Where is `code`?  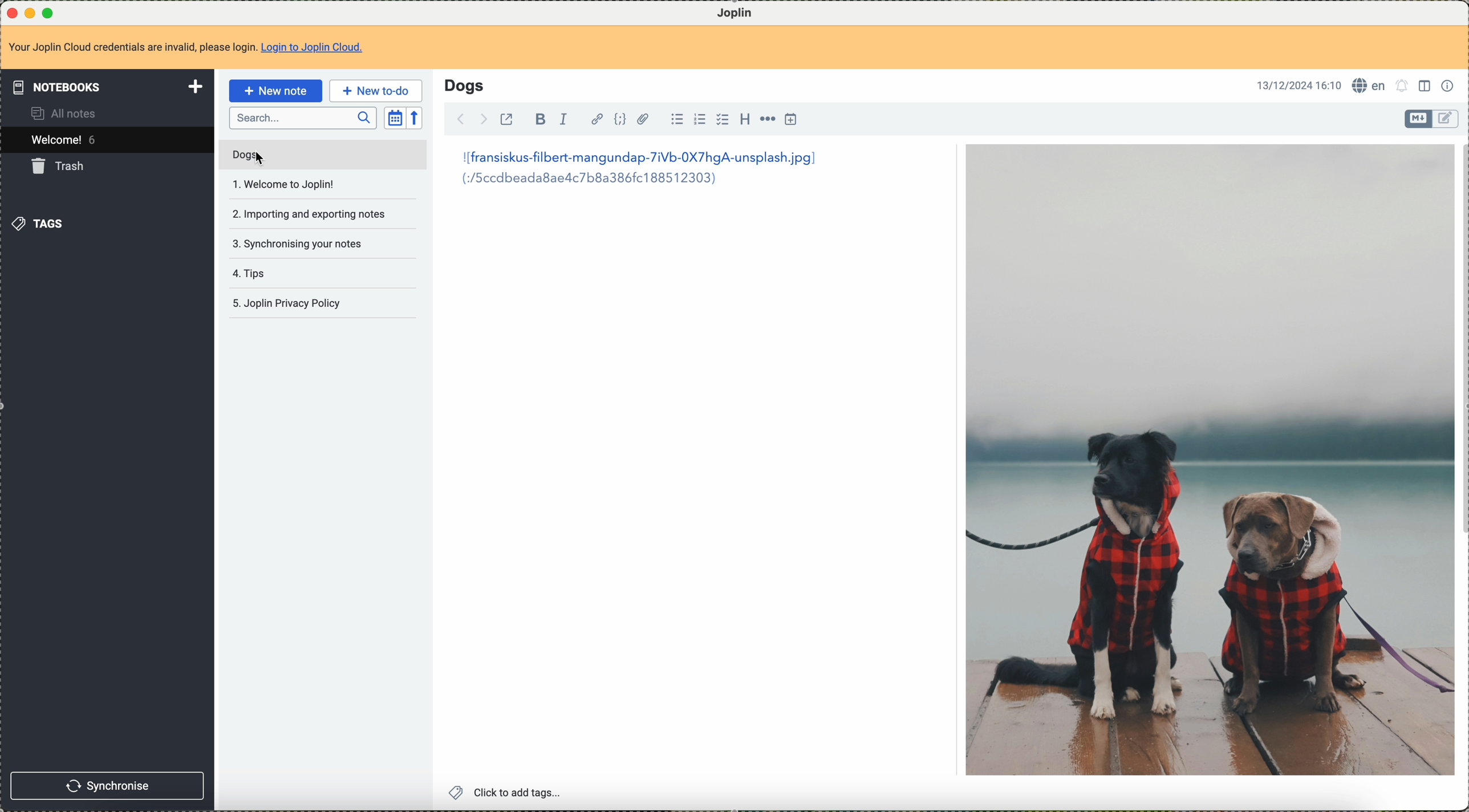
code is located at coordinates (620, 120).